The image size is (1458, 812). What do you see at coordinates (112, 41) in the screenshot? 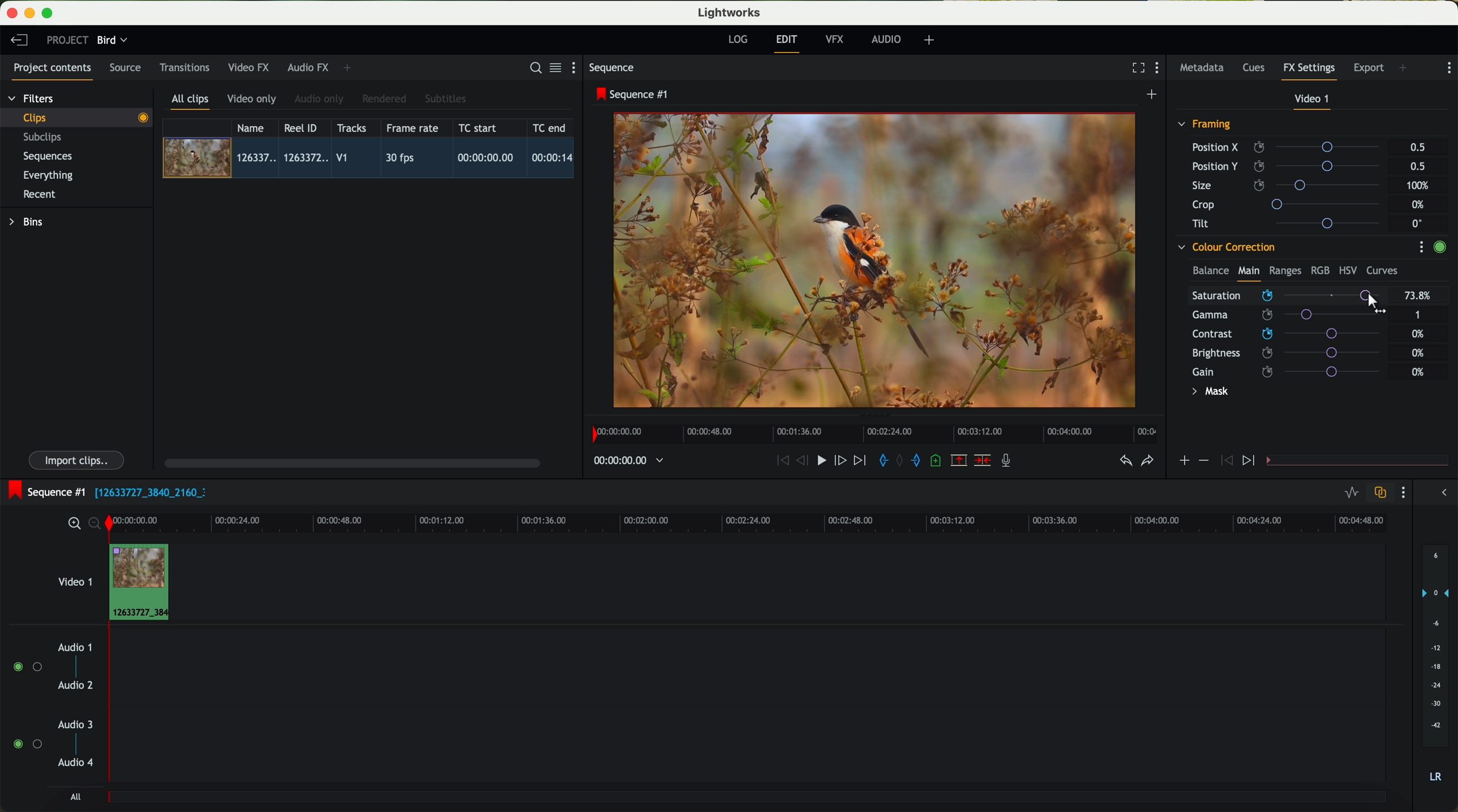
I see `bird` at bounding box center [112, 41].